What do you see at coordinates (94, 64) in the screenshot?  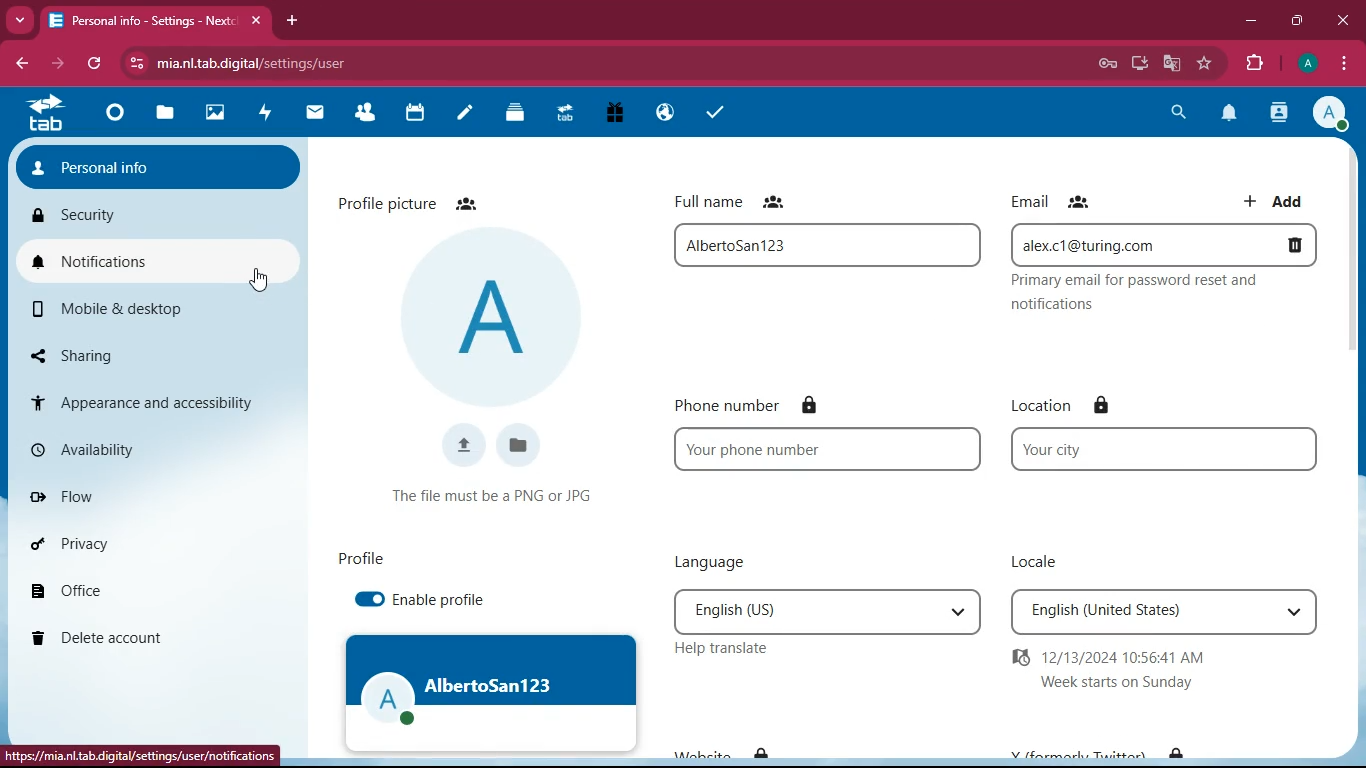 I see `refresh` at bounding box center [94, 64].